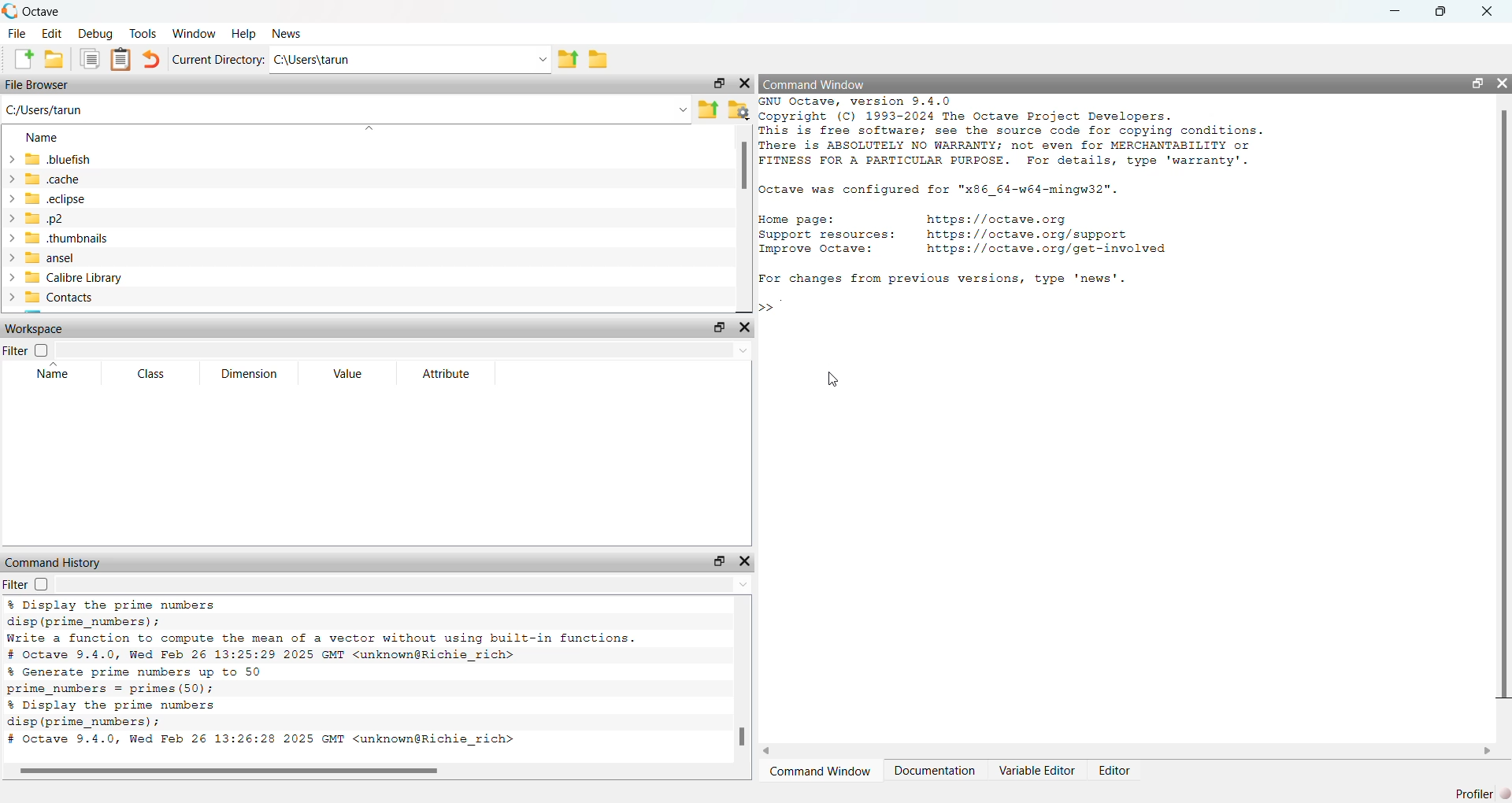 This screenshot has width=1512, height=803. I want to click on ansel, so click(50, 257).